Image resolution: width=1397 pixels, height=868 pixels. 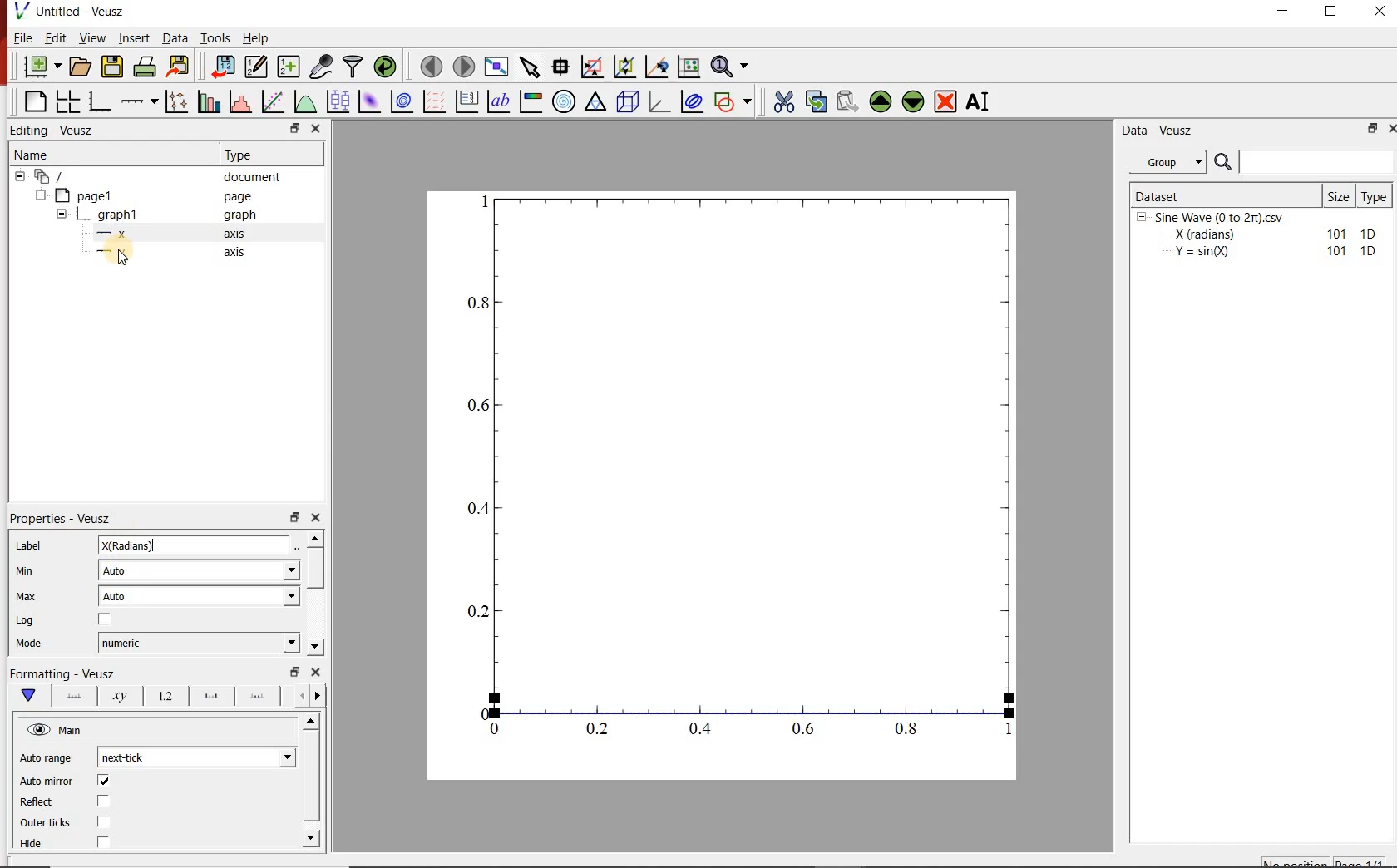 I want to click on plot box plots, so click(x=339, y=102).